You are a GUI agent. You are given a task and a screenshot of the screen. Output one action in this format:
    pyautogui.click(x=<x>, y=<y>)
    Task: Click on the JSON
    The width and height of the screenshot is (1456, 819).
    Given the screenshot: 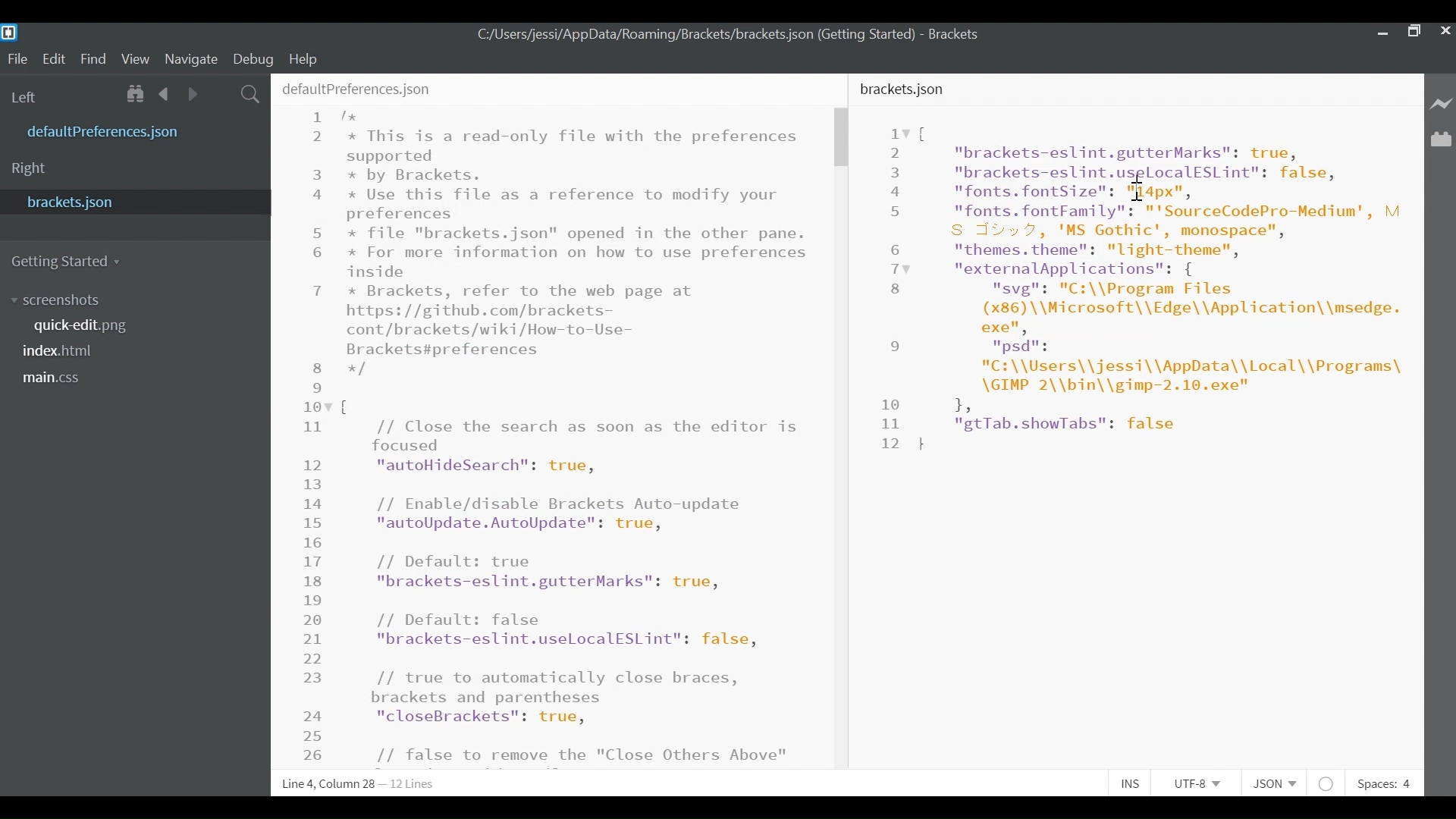 What is the action you would take?
    pyautogui.click(x=1271, y=781)
    